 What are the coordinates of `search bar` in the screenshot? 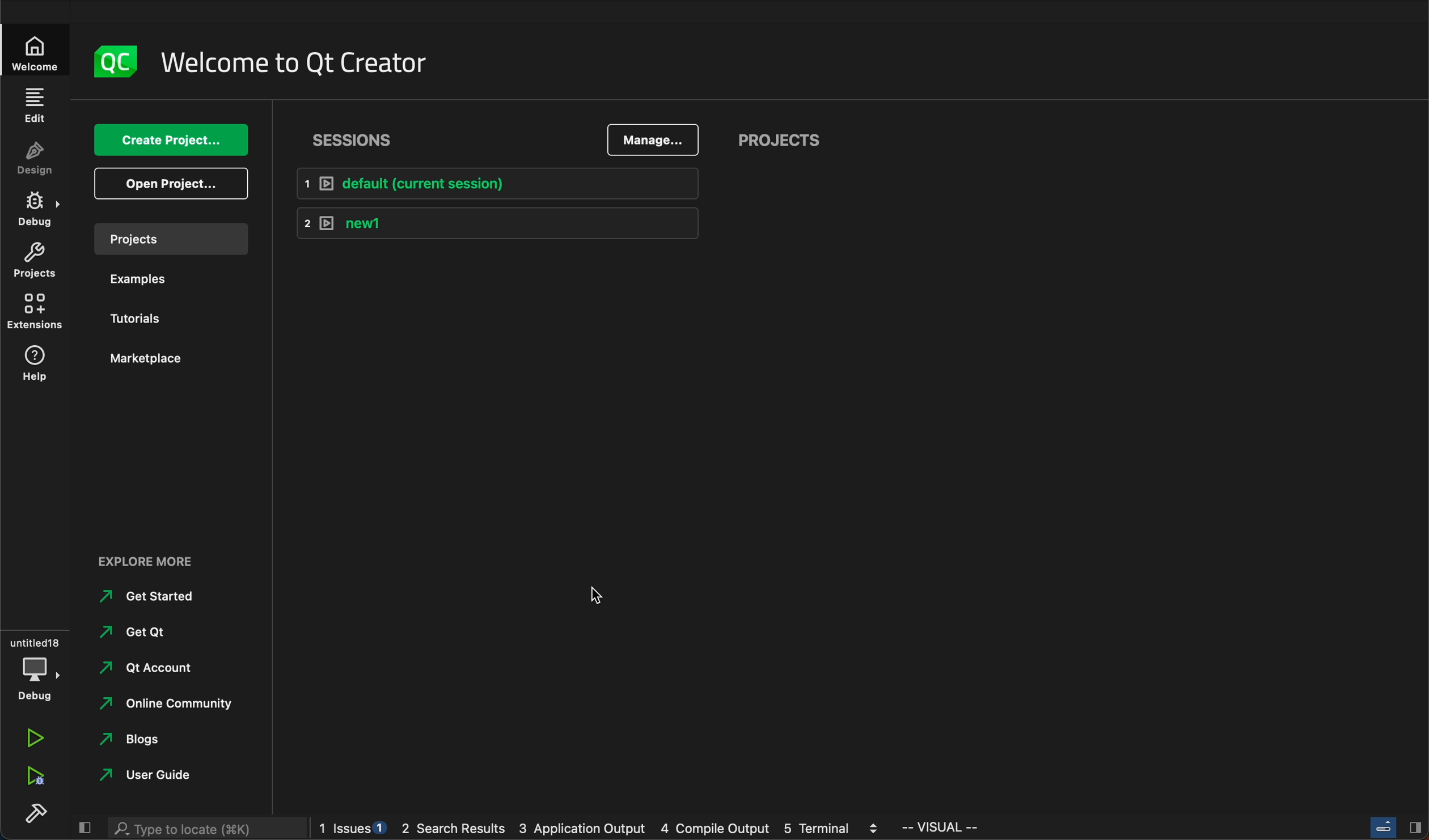 It's located at (204, 826).